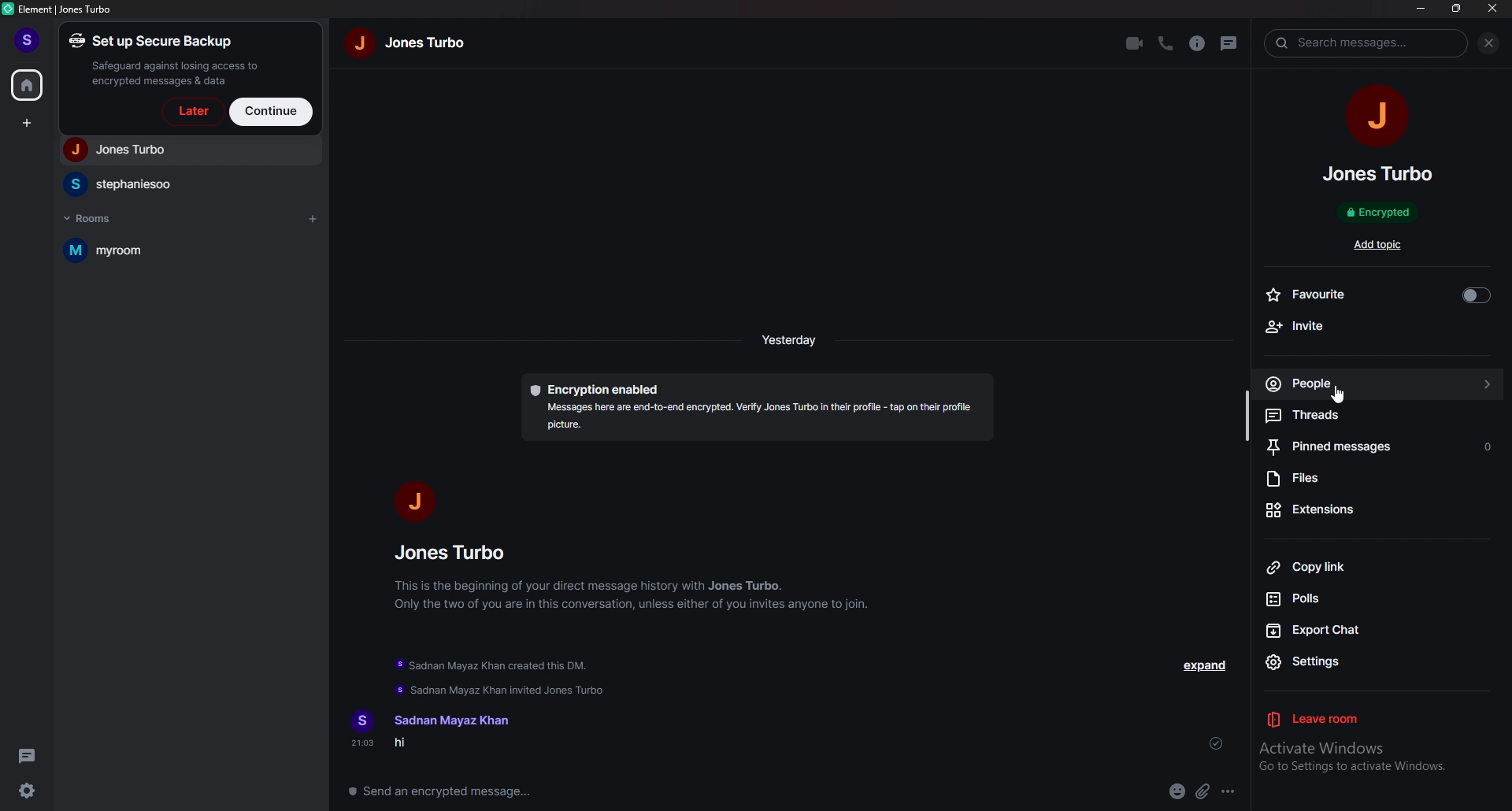 Image resolution: width=1512 pixels, height=811 pixels. I want to click on people, so click(188, 184).